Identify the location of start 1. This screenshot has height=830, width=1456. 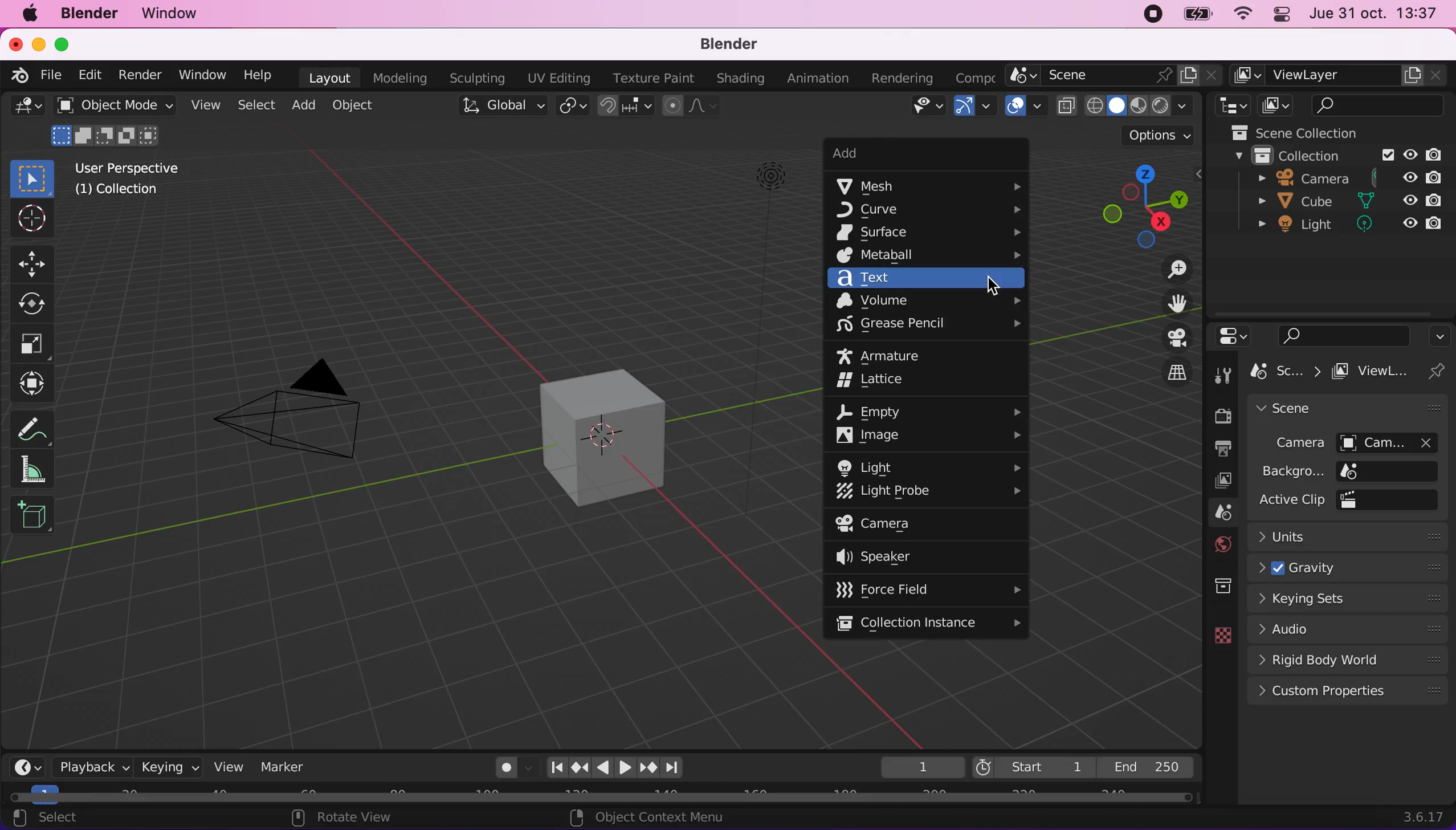
(1032, 766).